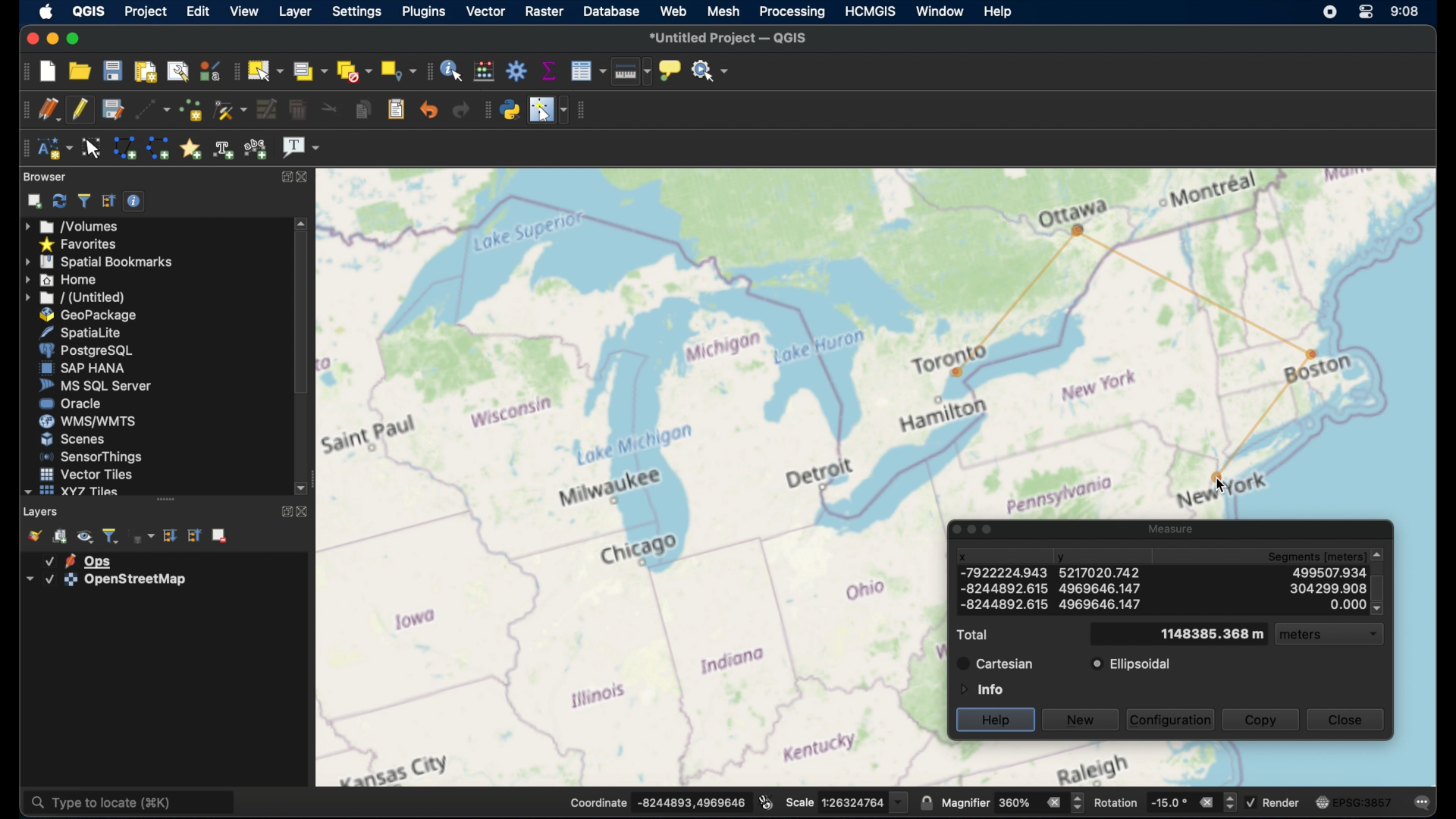 The image size is (1456, 819). I want to click on close, so click(307, 176).